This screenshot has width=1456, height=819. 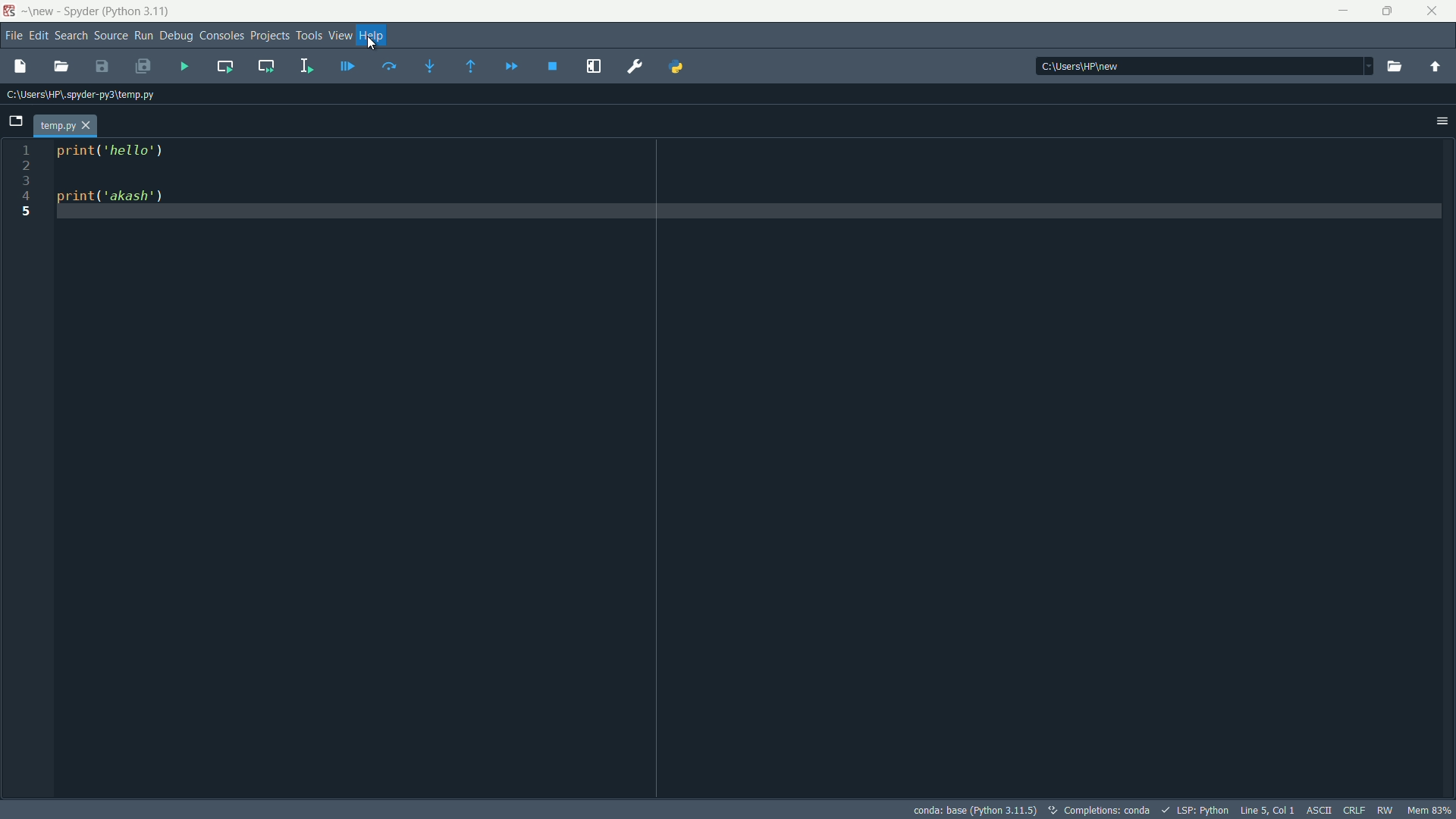 What do you see at coordinates (143, 36) in the screenshot?
I see `run menu` at bounding box center [143, 36].